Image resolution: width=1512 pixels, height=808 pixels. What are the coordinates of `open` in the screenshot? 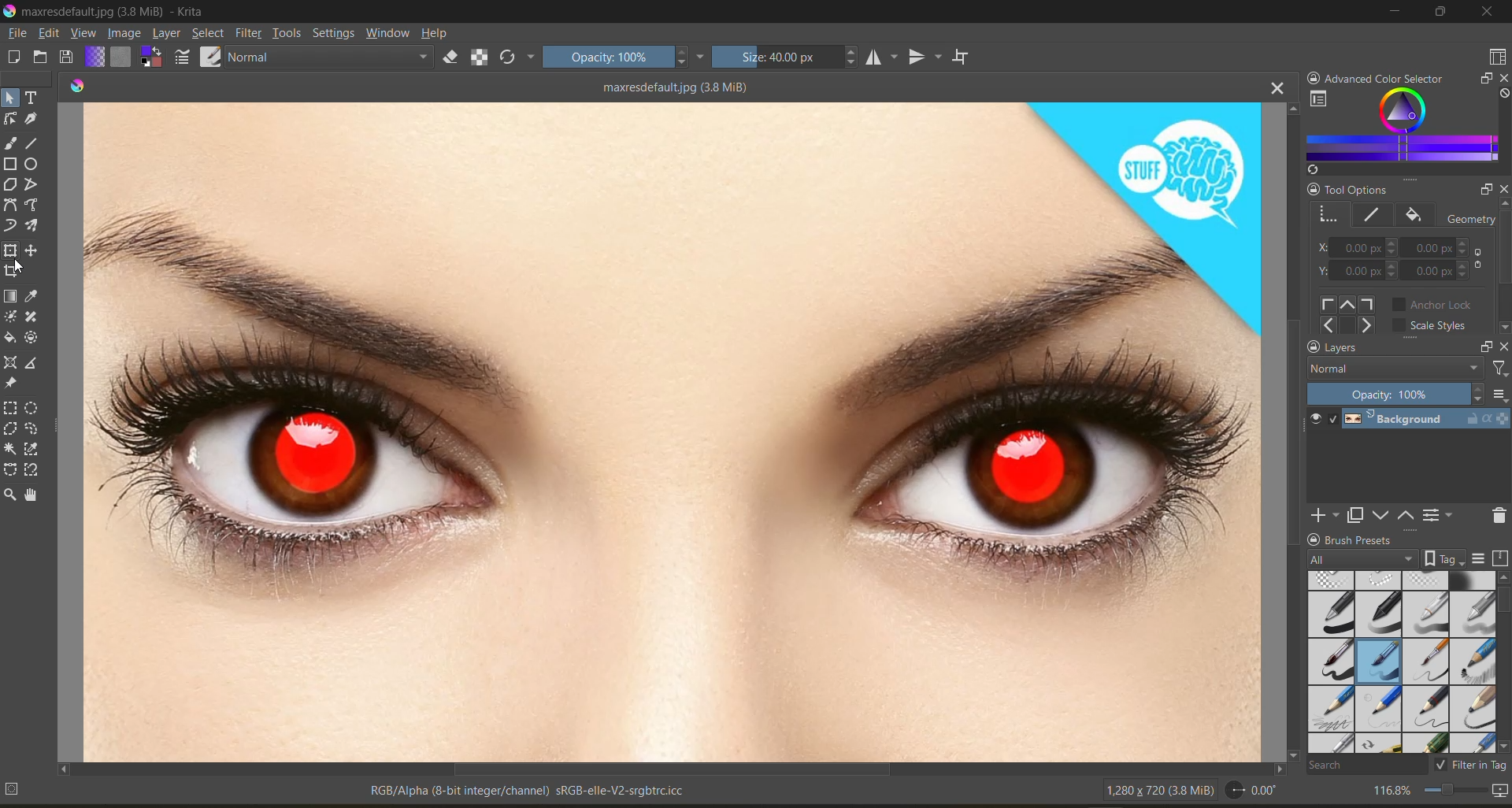 It's located at (41, 58).